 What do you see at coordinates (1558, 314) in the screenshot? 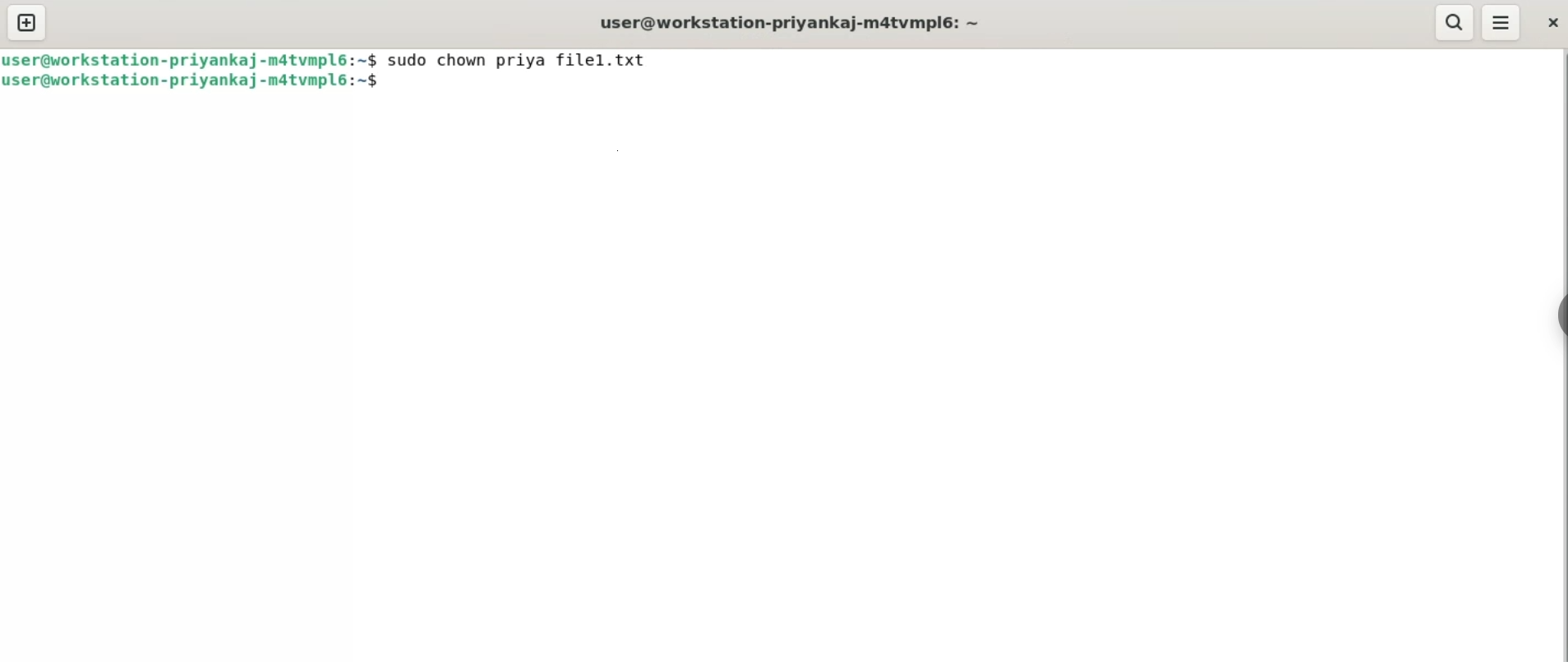
I see `sidebar` at bounding box center [1558, 314].